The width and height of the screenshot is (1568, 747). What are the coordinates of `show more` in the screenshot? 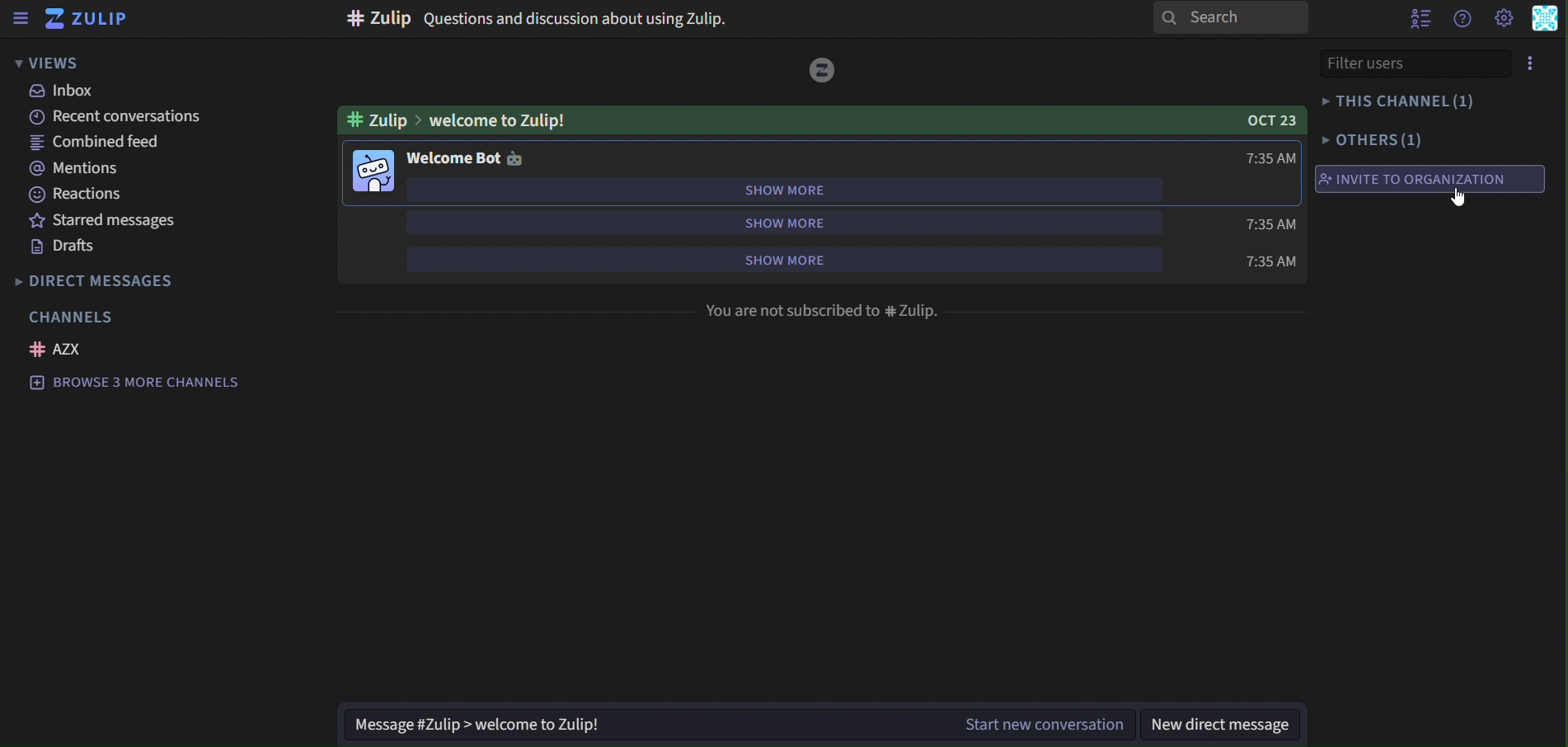 It's located at (777, 261).